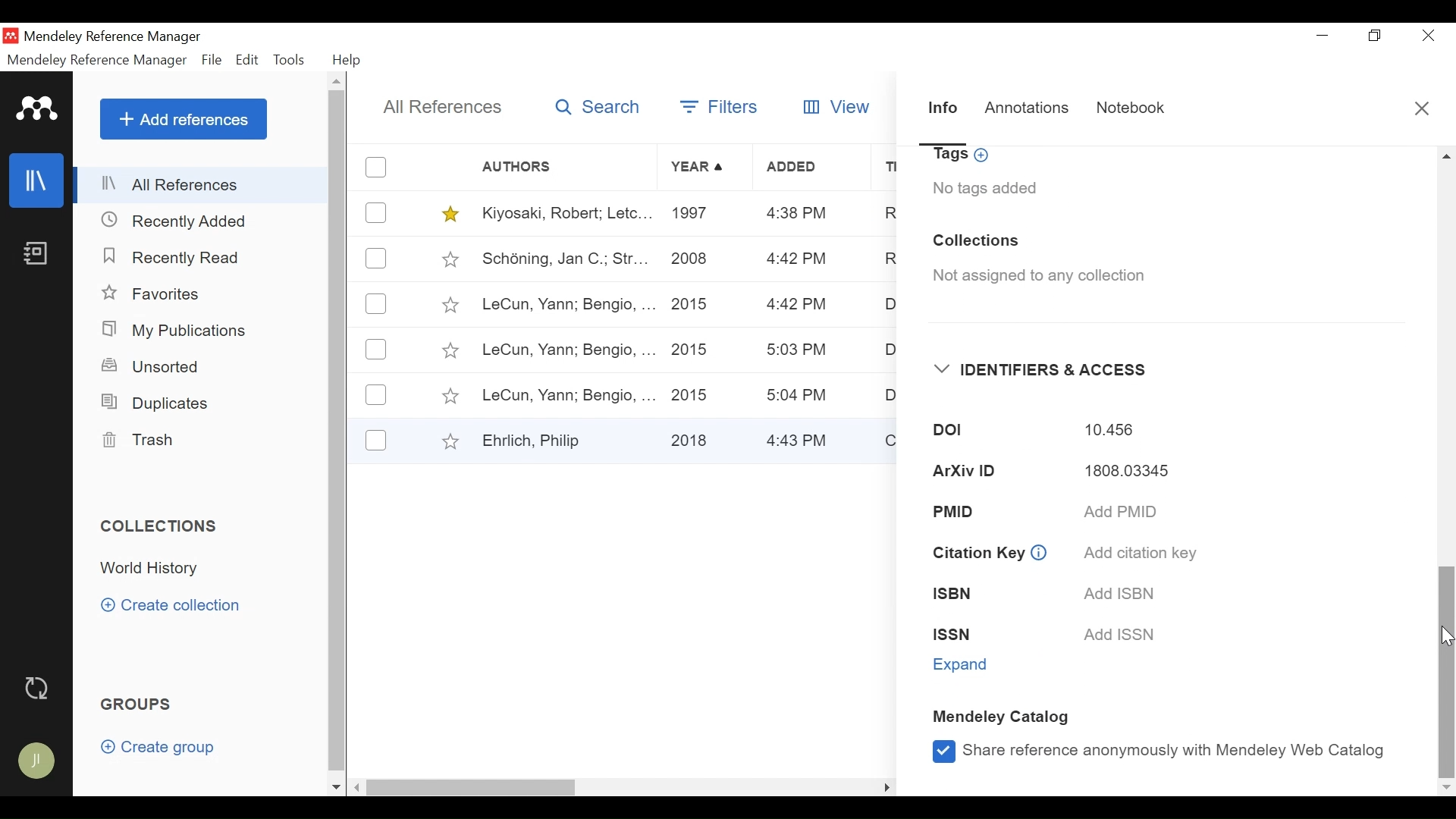 The image size is (1456, 819). Describe the element at coordinates (447, 441) in the screenshot. I see `(un)select favorite` at that location.